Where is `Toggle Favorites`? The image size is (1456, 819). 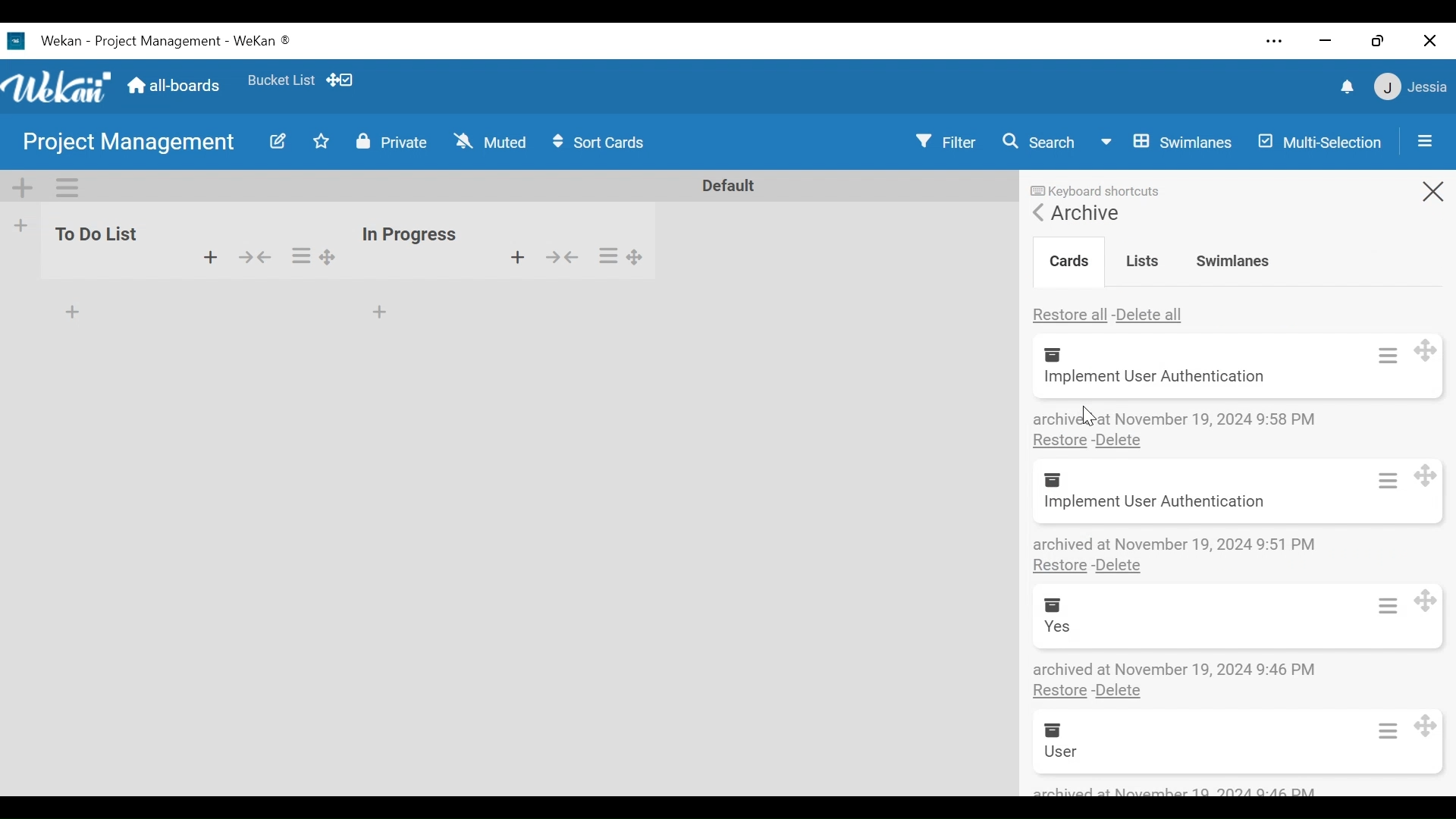
Toggle Favorites is located at coordinates (322, 142).